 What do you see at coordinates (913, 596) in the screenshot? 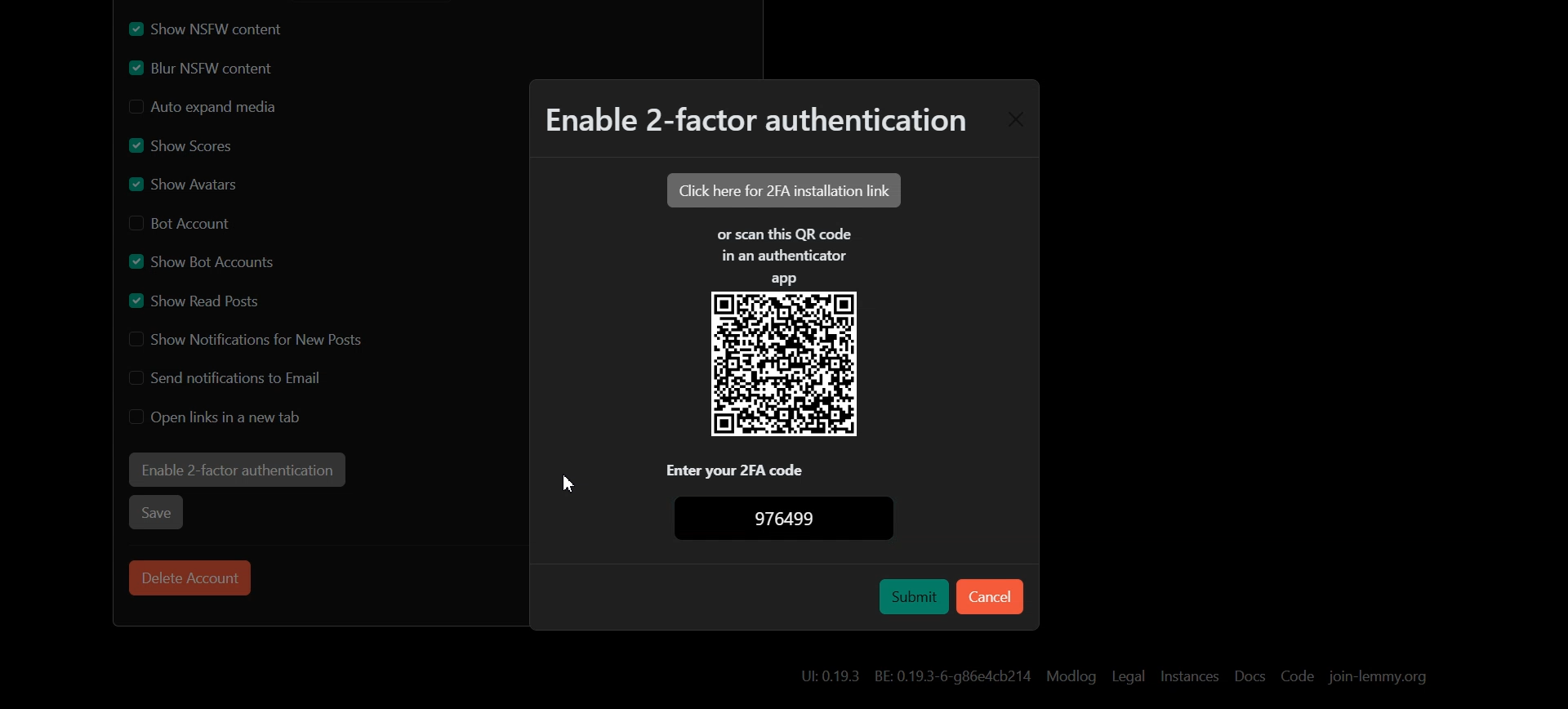
I see `Submit` at bounding box center [913, 596].